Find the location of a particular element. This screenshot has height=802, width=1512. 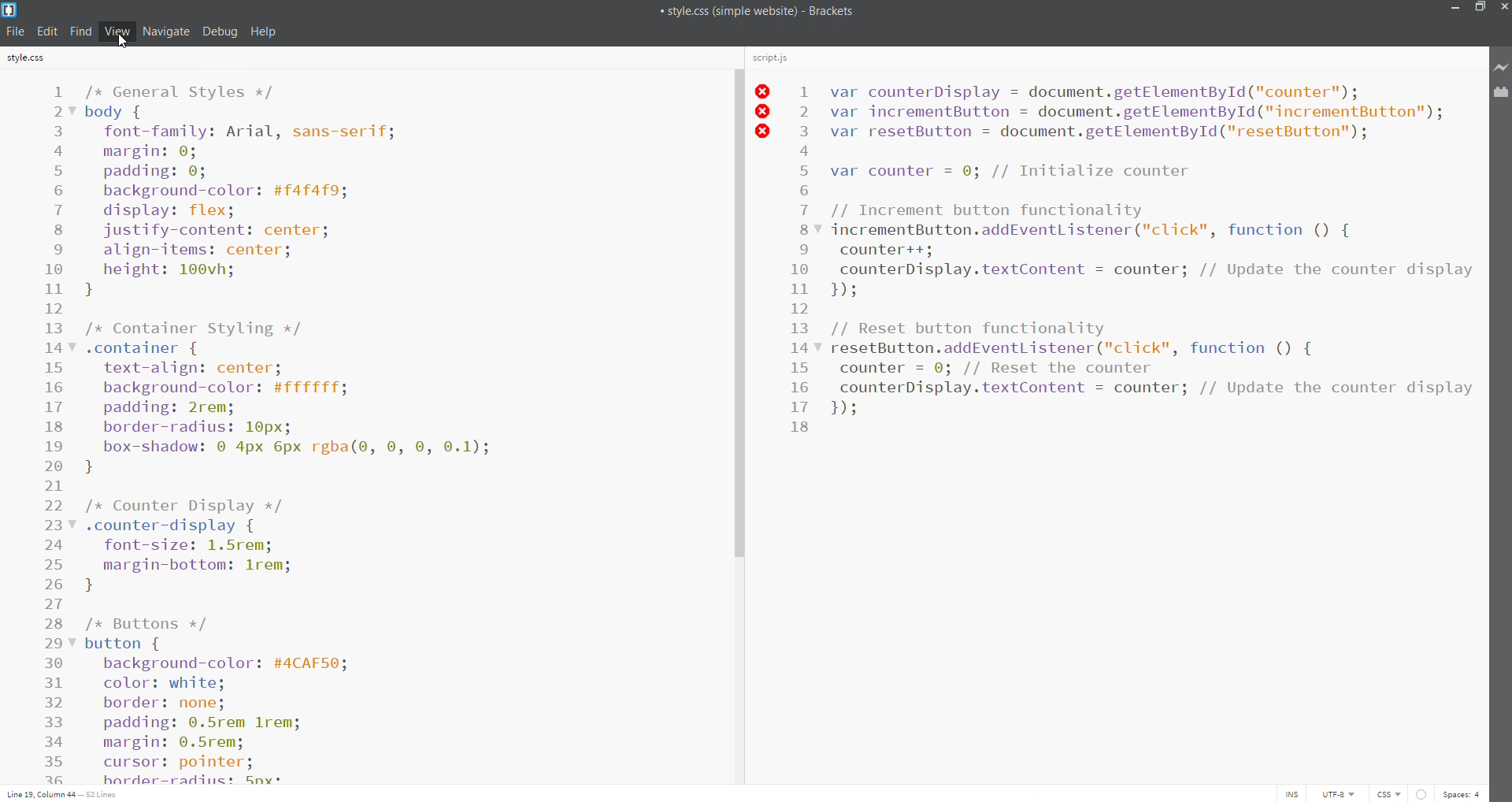

debug is located at coordinates (220, 31).